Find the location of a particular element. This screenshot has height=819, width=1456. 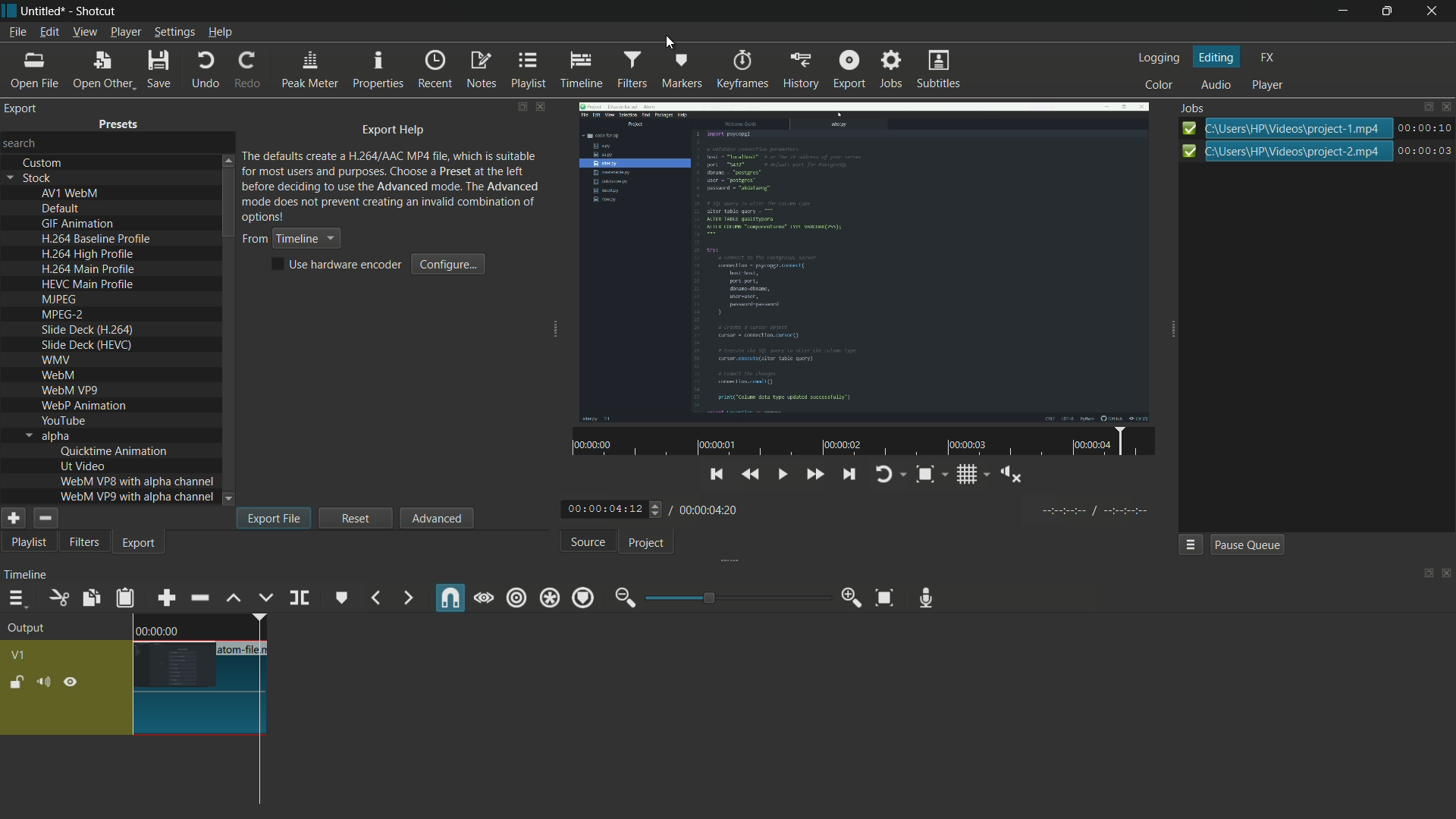

add current preet is located at coordinates (13, 518).